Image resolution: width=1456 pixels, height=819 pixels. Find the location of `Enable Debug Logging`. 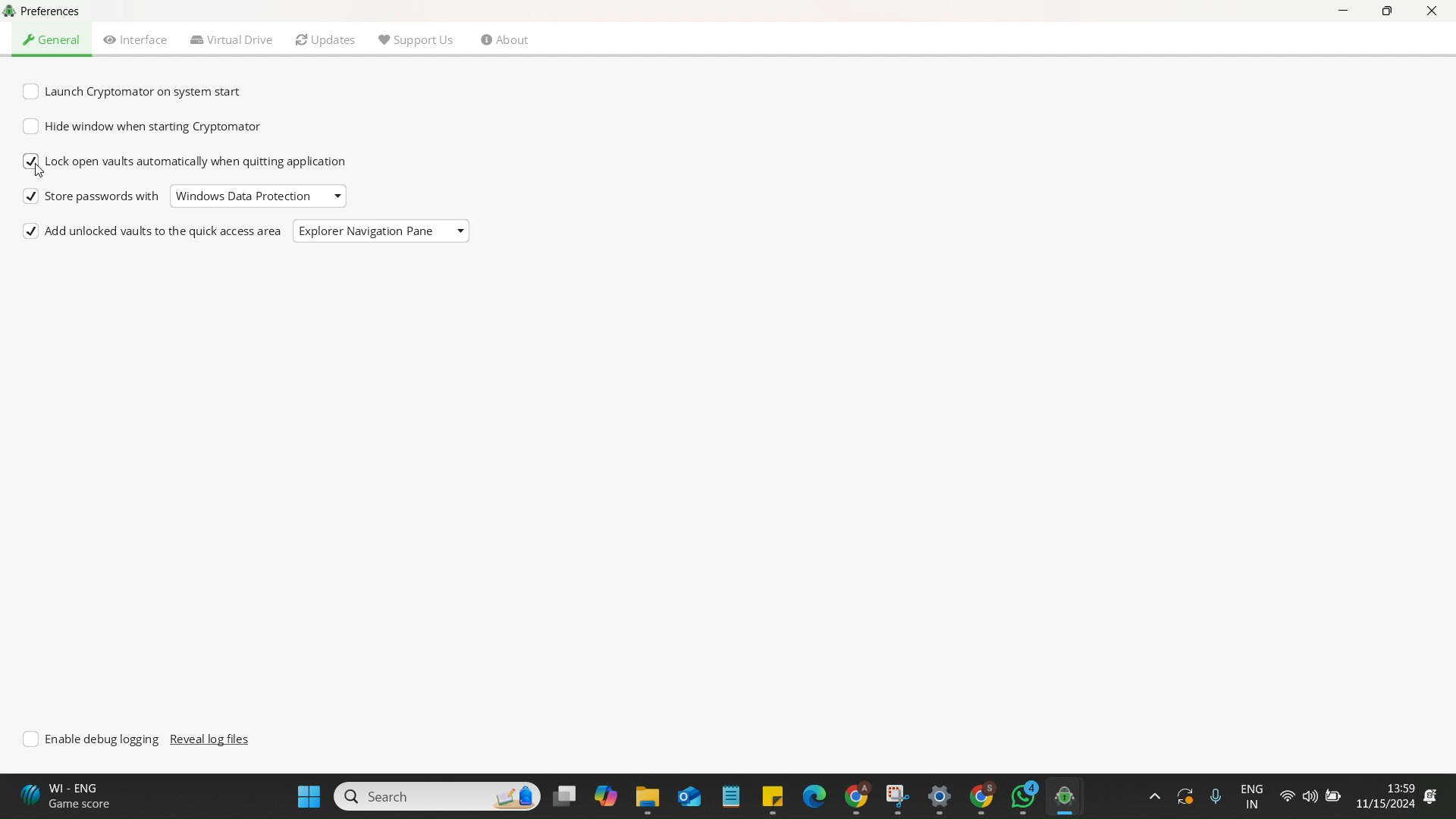

Enable Debug Logging is located at coordinates (94, 739).